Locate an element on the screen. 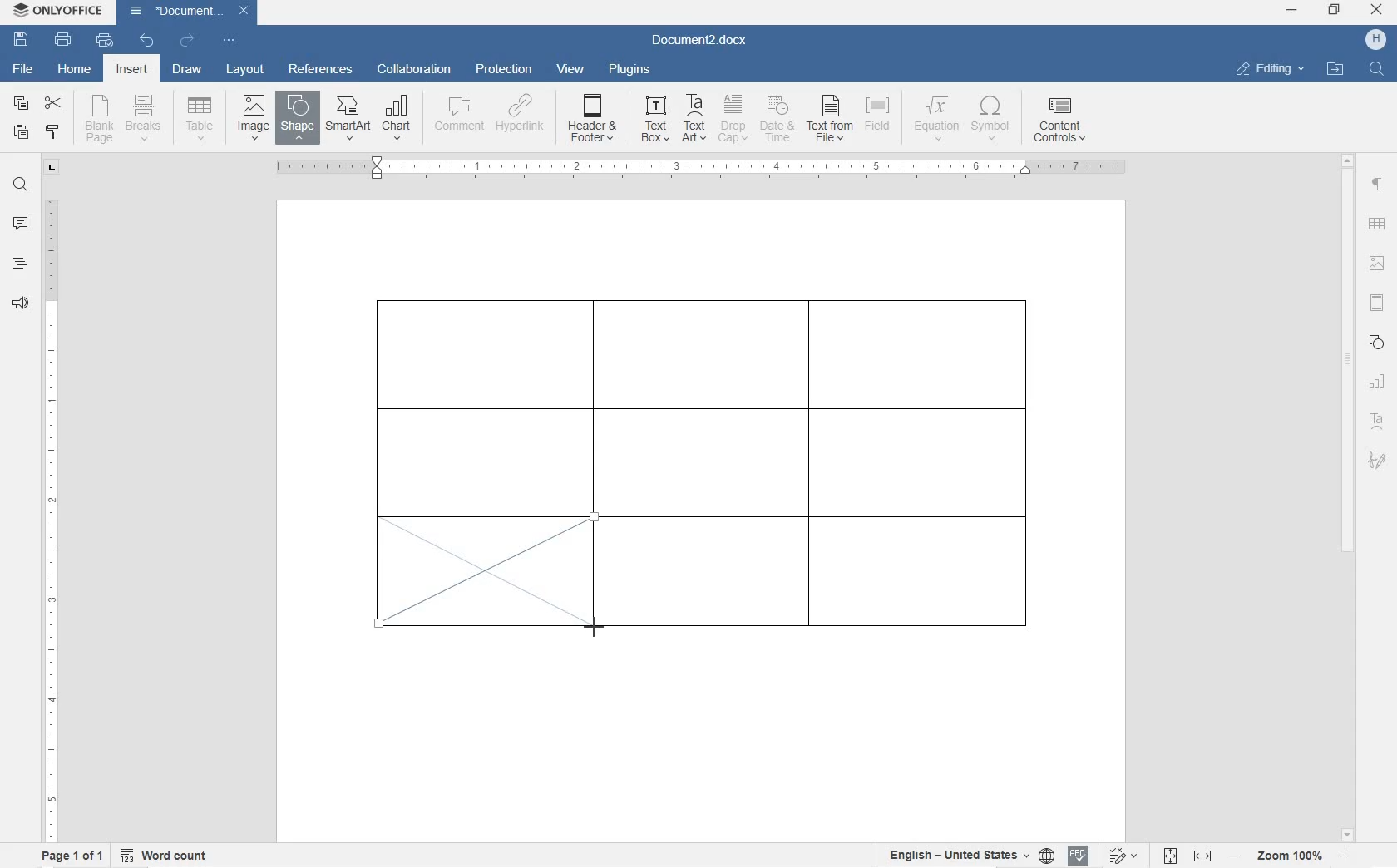 This screenshot has width=1397, height=868. paragraph settings is located at coordinates (1378, 185).